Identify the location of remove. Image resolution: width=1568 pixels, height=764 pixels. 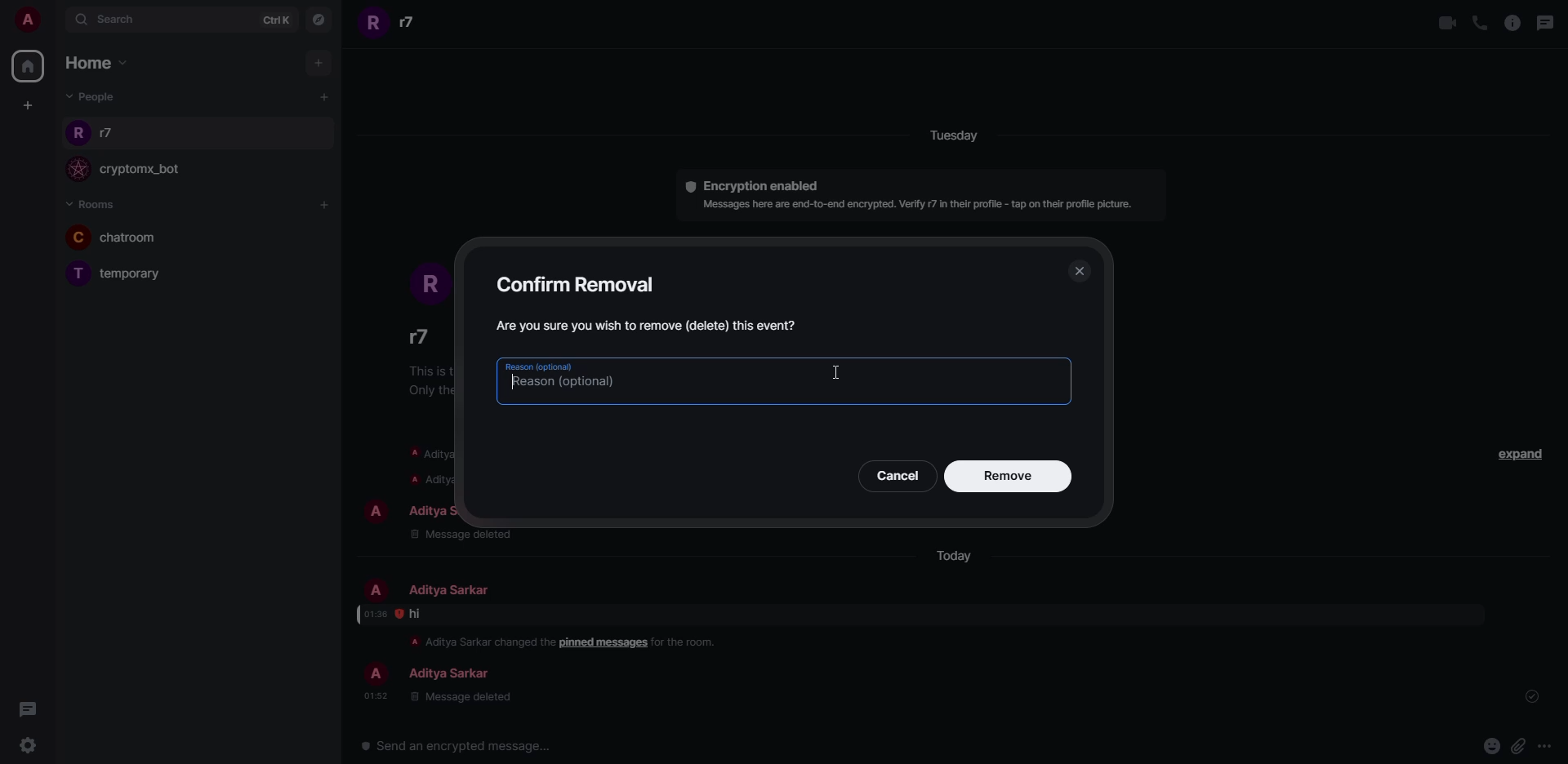
(1009, 475).